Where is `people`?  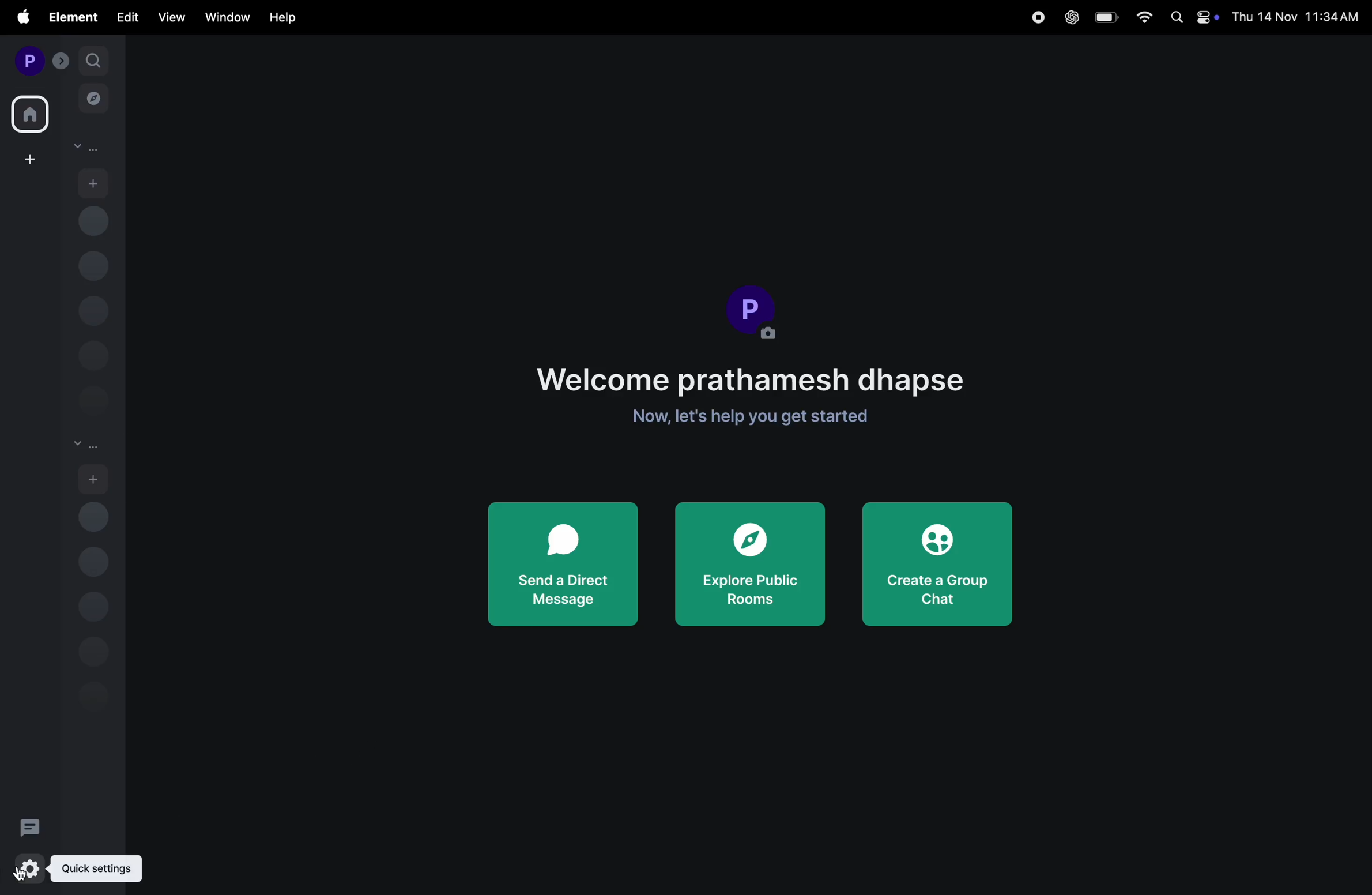
people is located at coordinates (86, 148).